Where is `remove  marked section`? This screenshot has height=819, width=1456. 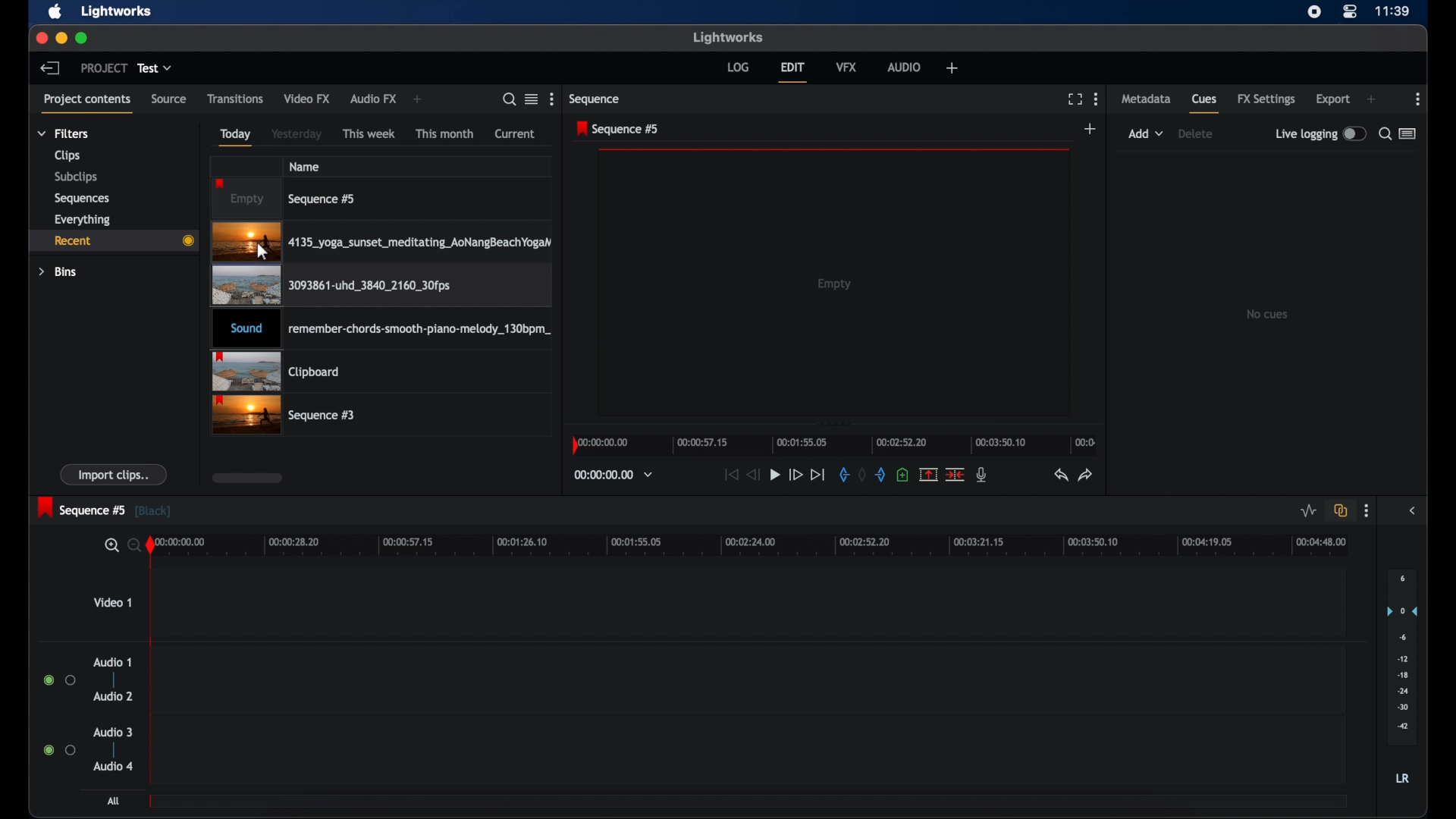
remove  marked section is located at coordinates (928, 475).